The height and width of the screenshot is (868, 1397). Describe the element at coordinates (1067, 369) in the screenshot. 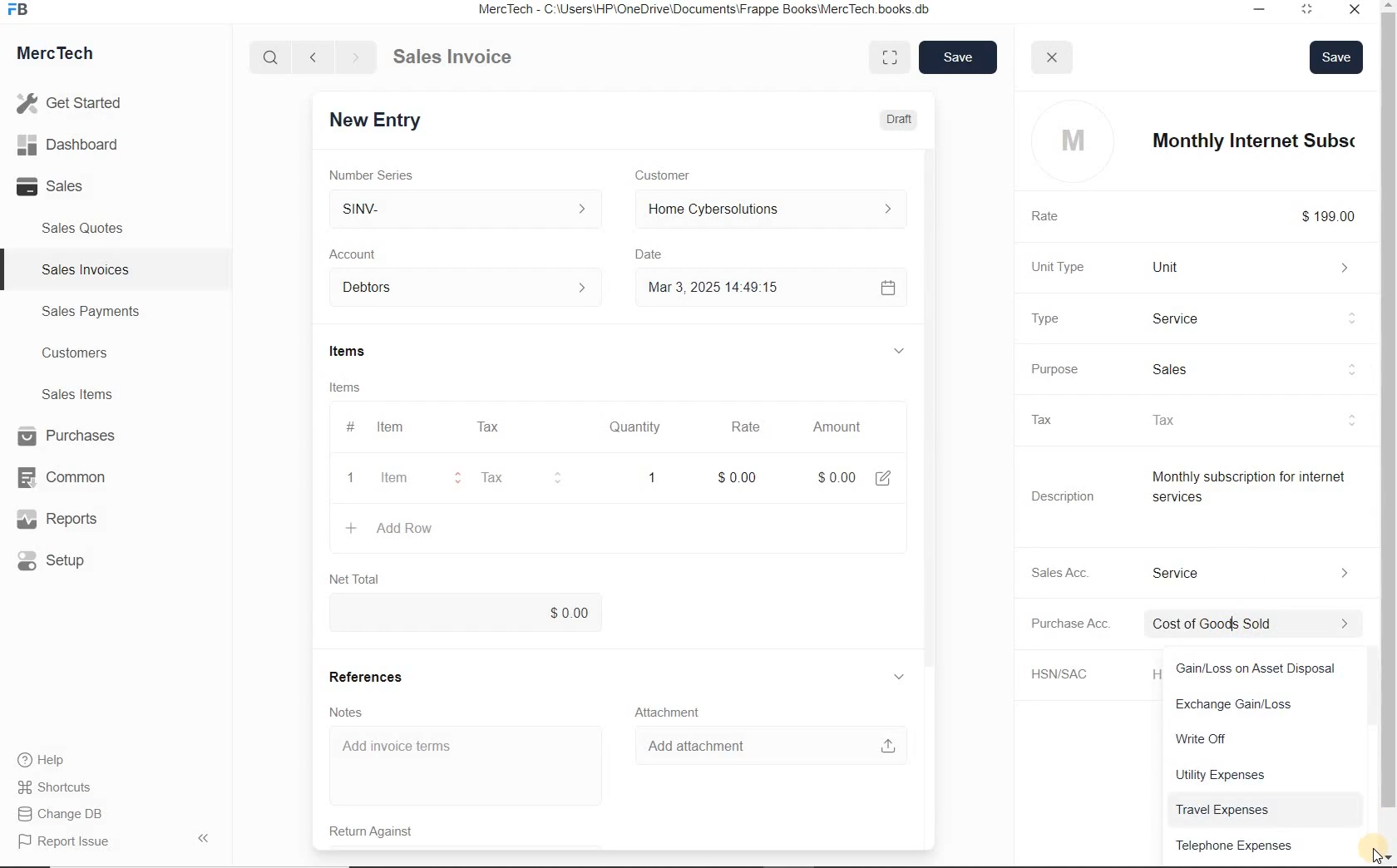

I see `Purpose` at that location.